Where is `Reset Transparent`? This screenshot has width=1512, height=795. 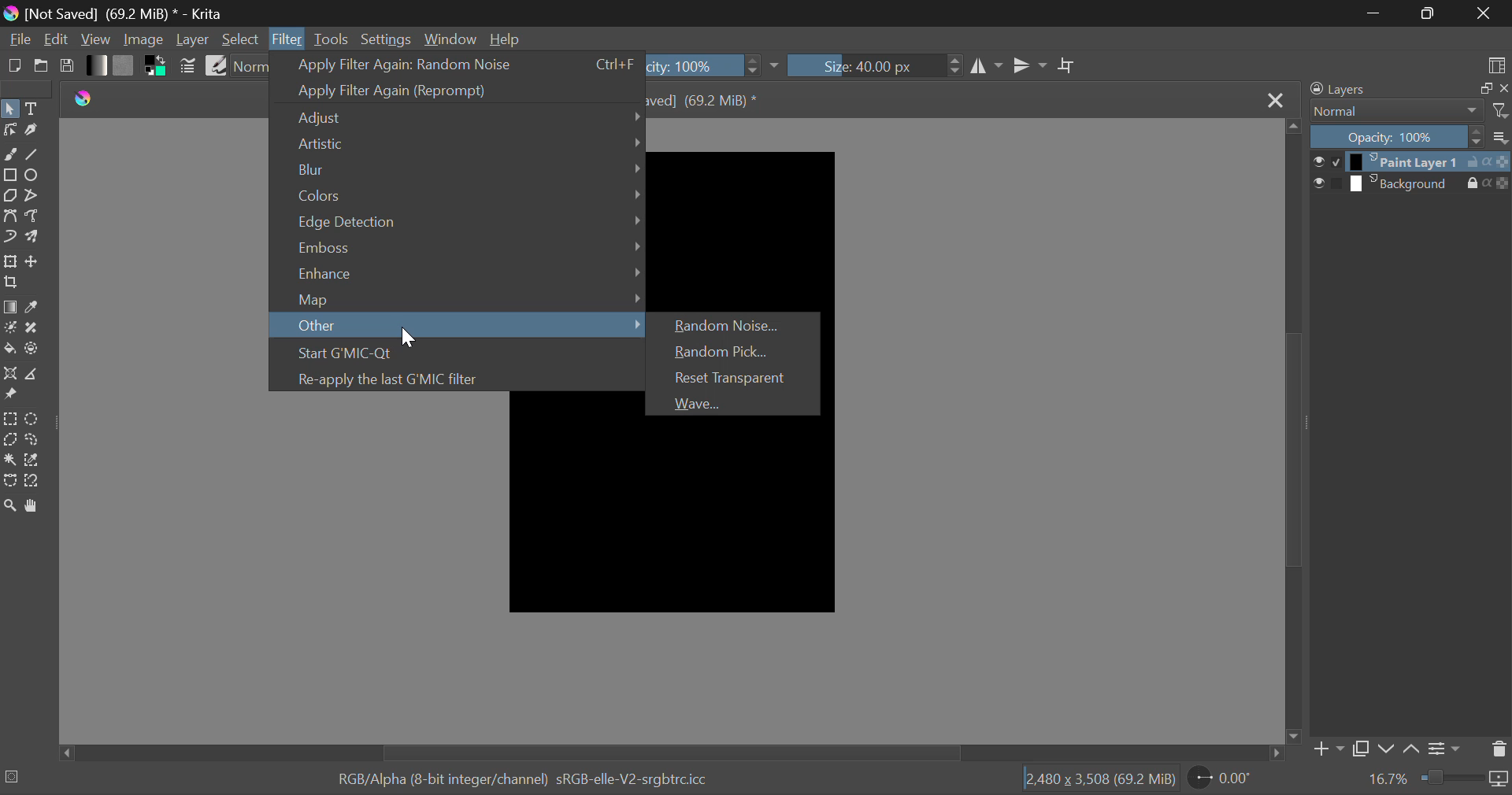
Reset Transparent is located at coordinates (732, 378).